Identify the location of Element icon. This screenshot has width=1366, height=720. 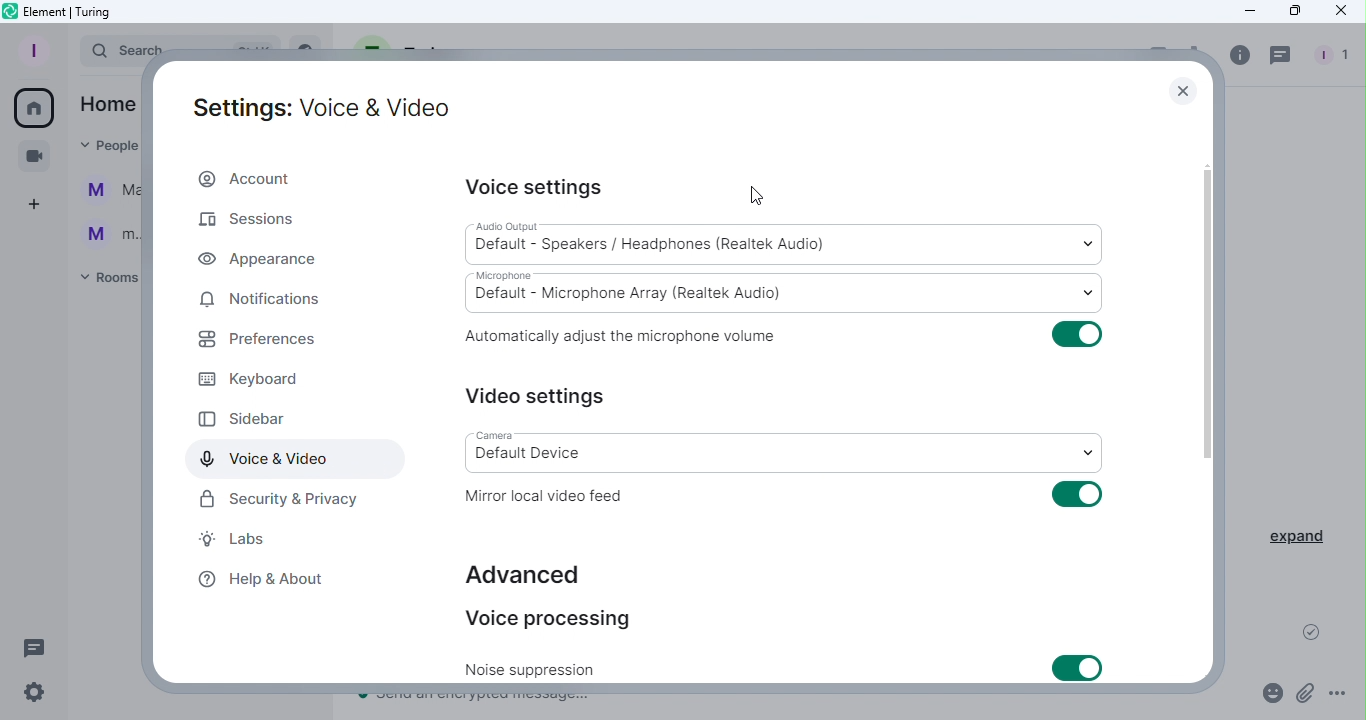
(84, 13).